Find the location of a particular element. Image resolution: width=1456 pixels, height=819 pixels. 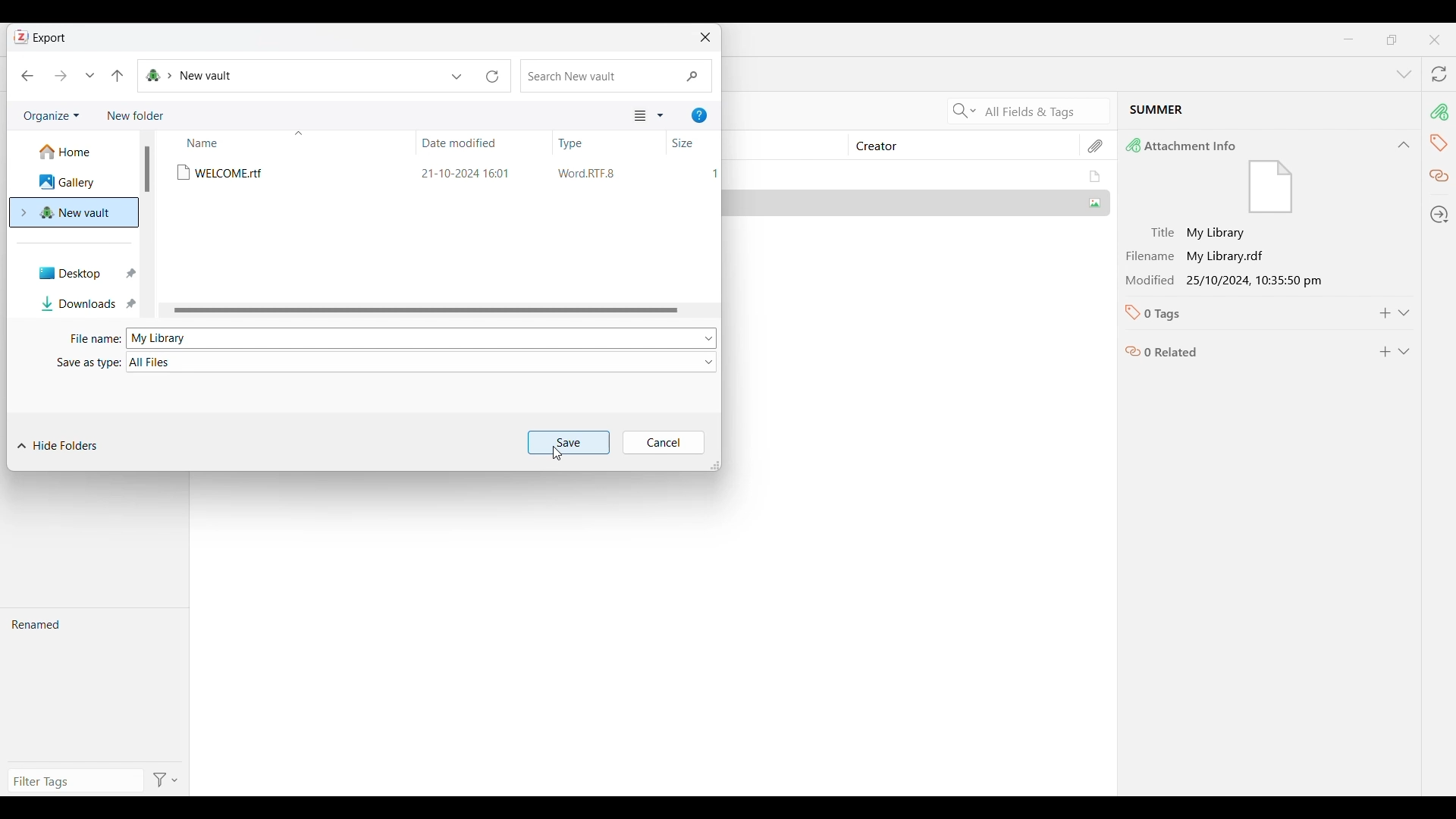

Current selected file is located at coordinates (1269, 112).